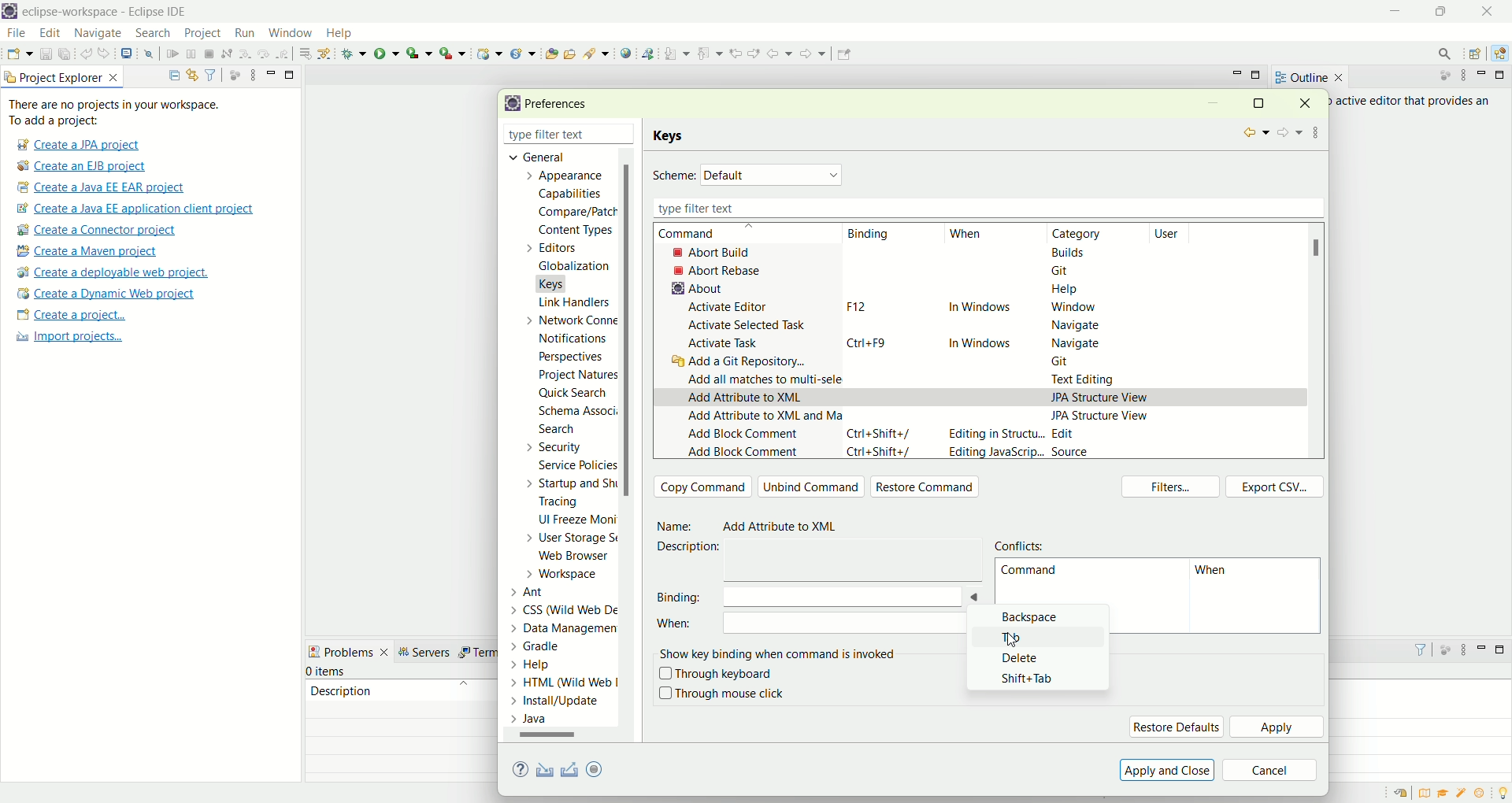  What do you see at coordinates (1462, 76) in the screenshot?
I see `view menu` at bounding box center [1462, 76].